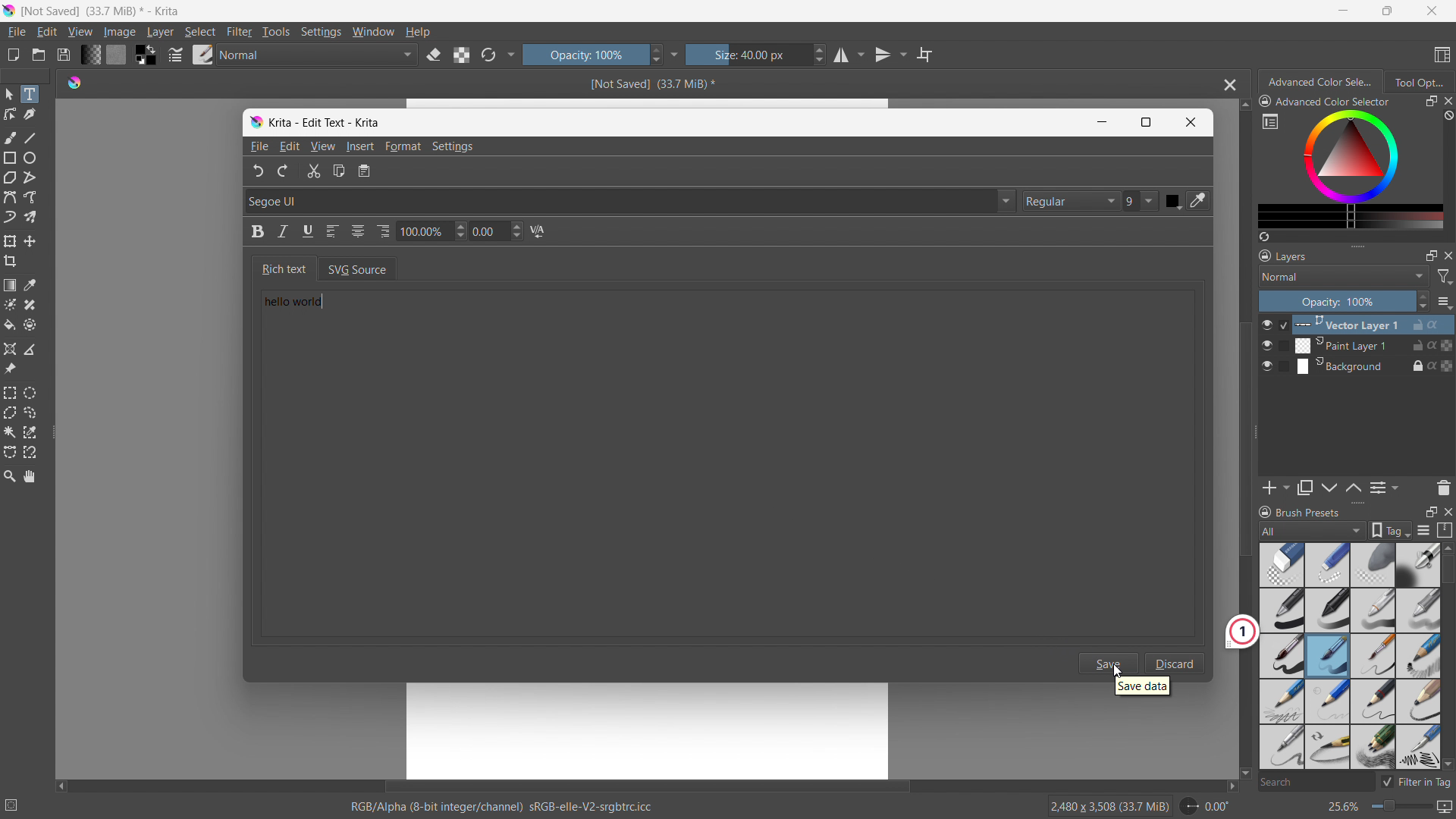  Describe the element at coordinates (1244, 105) in the screenshot. I see `scroll up` at that location.